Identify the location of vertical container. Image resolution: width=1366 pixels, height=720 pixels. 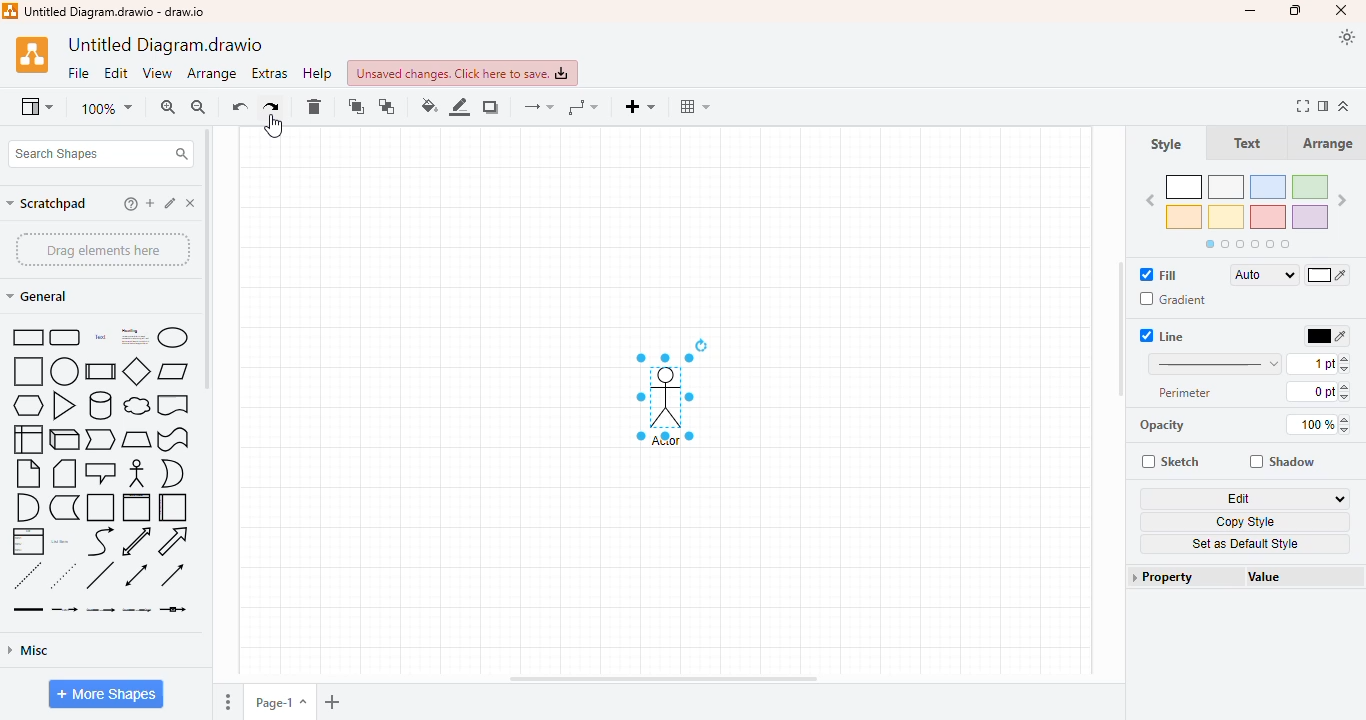
(136, 508).